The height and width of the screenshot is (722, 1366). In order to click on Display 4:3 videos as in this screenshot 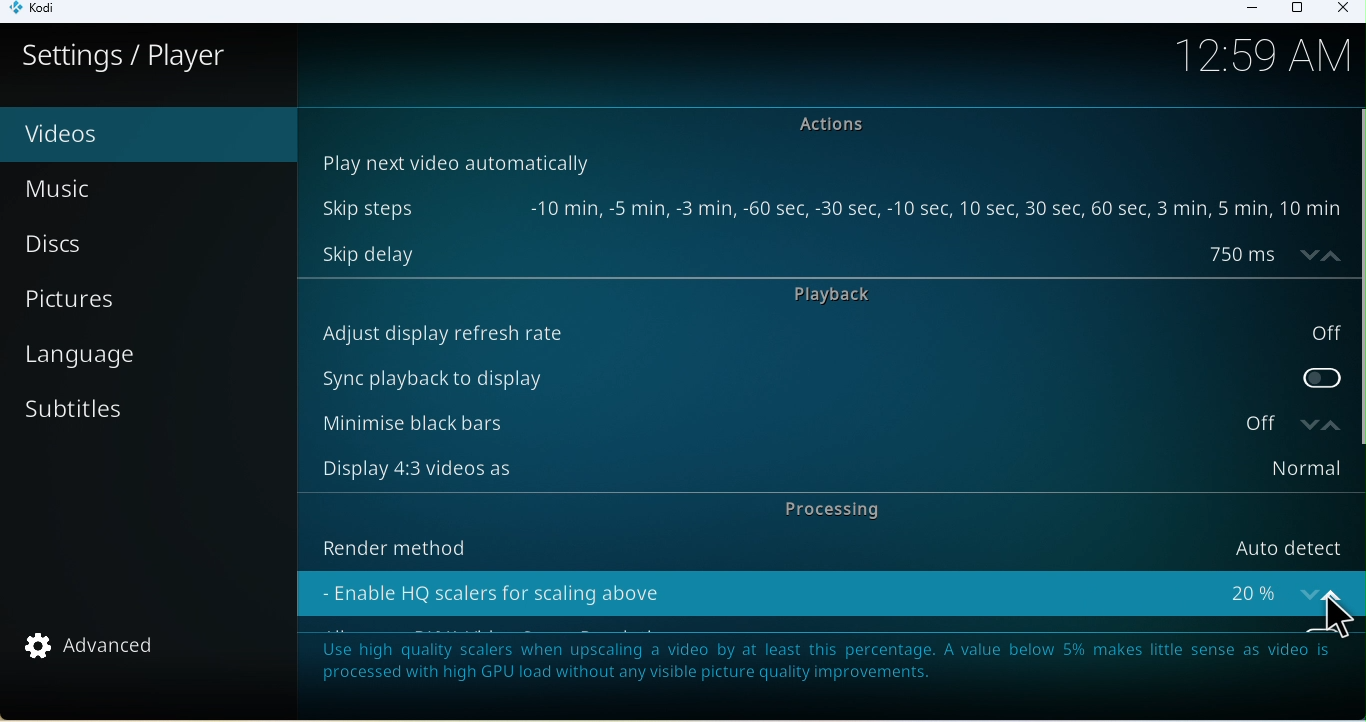, I will do `click(824, 469)`.